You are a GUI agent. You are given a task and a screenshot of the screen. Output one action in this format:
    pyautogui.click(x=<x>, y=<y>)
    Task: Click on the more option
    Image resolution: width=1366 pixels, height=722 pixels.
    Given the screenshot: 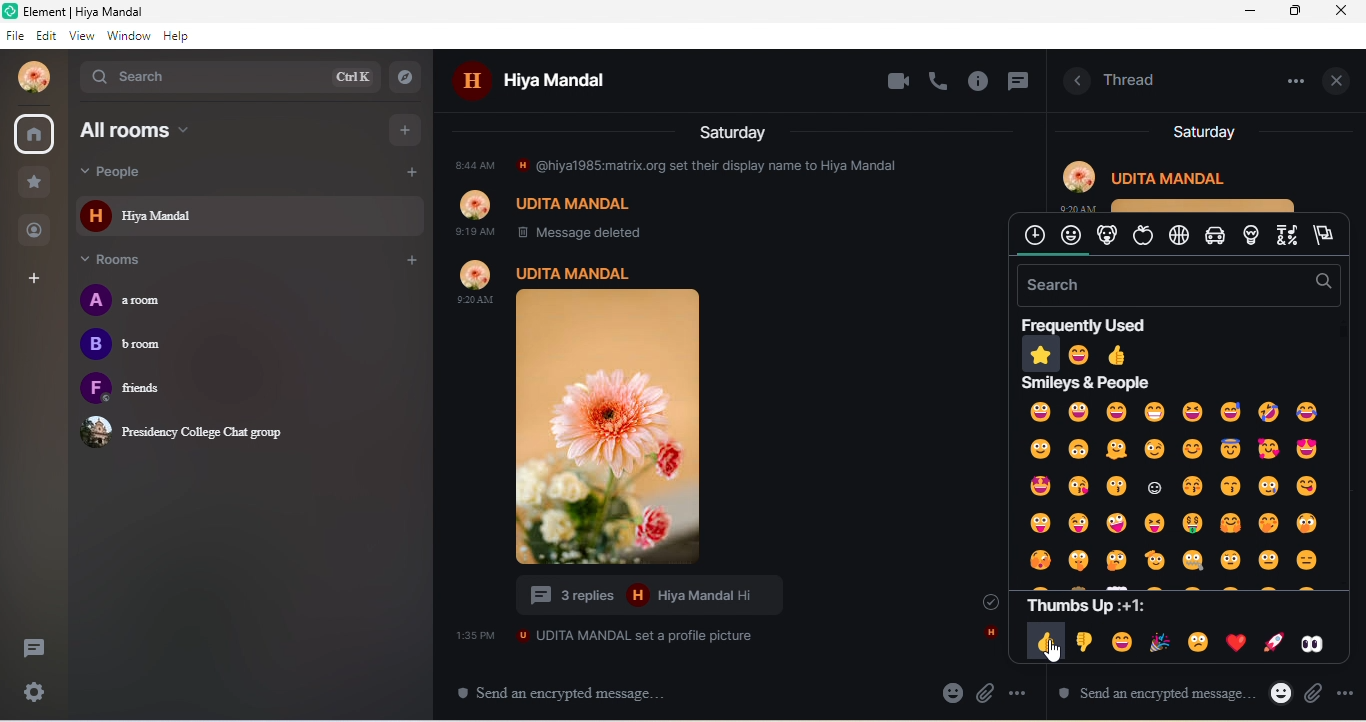 What is the action you would take?
    pyautogui.click(x=1020, y=693)
    